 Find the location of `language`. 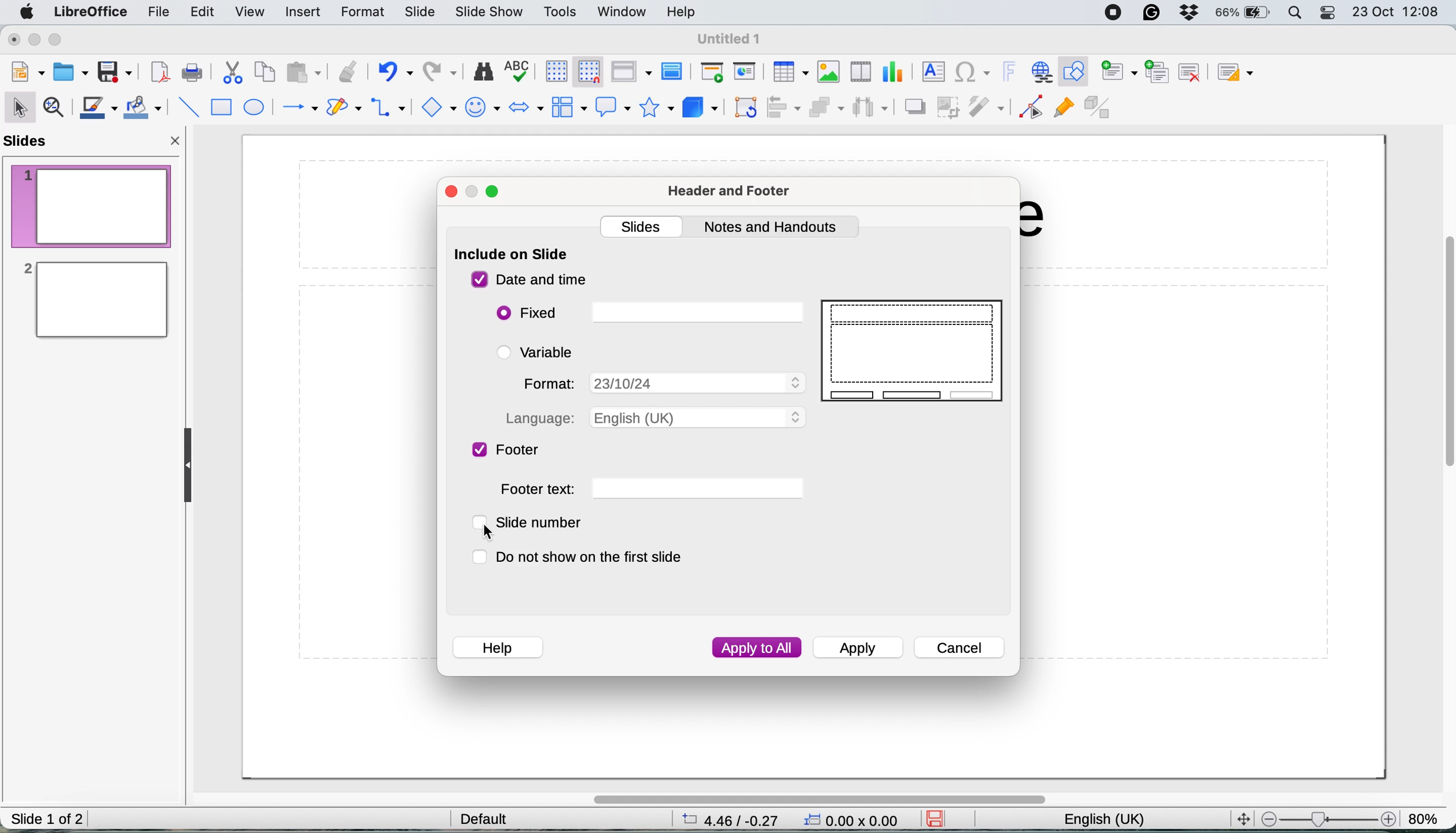

language is located at coordinates (655, 417).